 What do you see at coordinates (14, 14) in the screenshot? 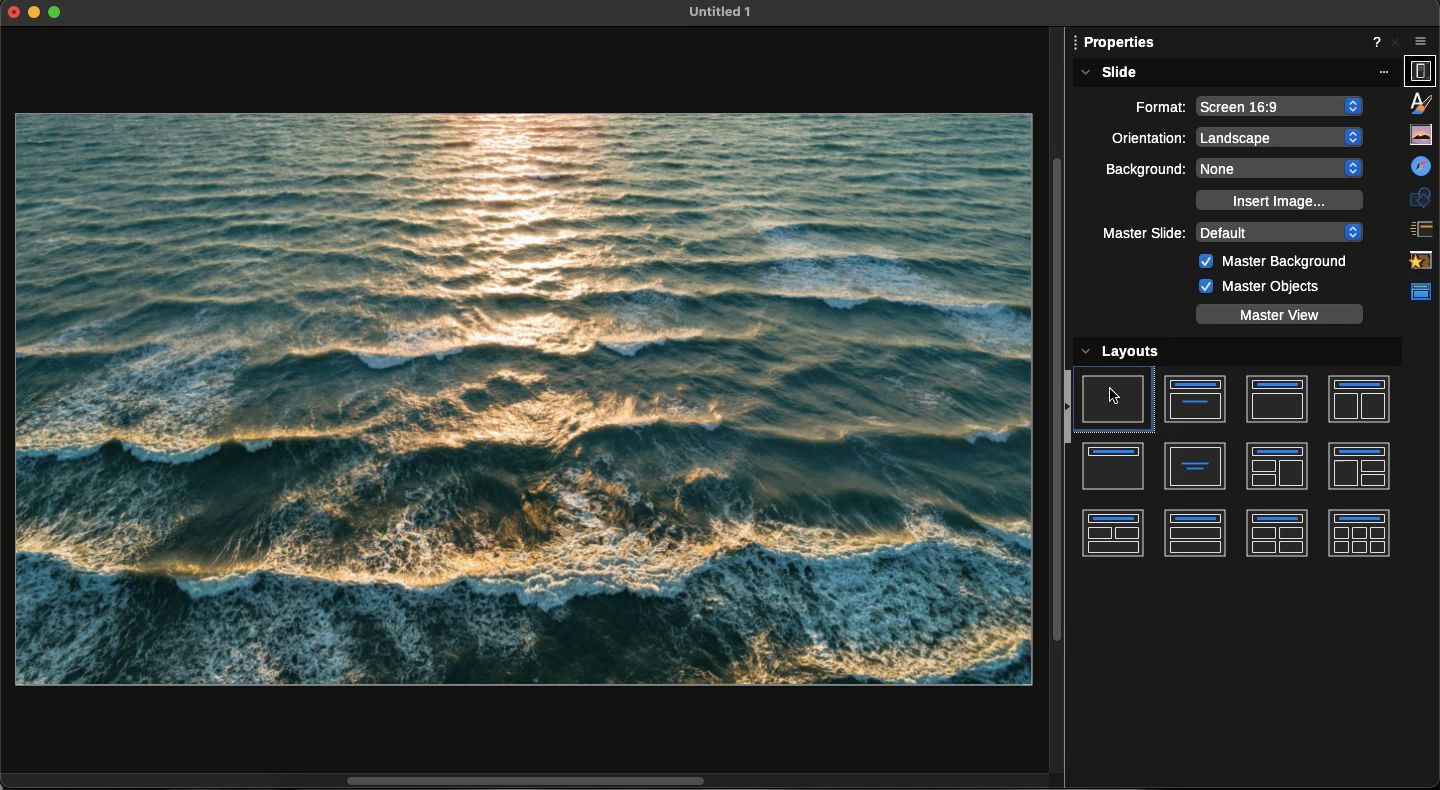
I see `Close` at bounding box center [14, 14].